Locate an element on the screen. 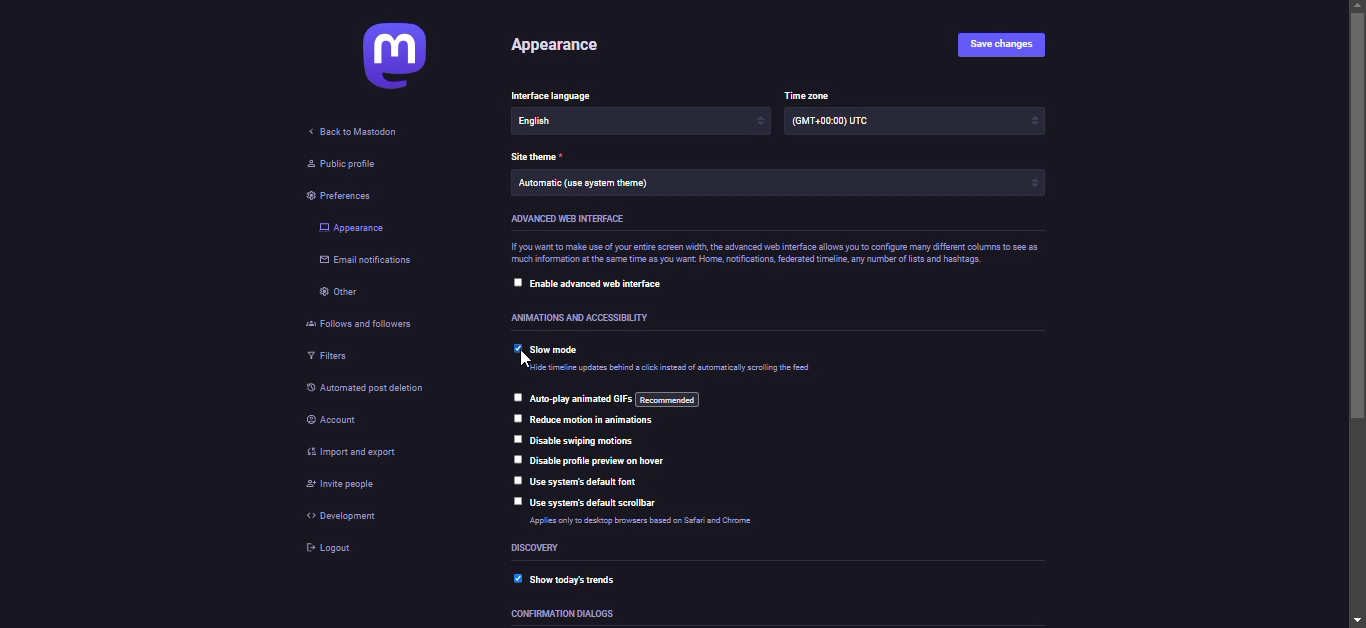  increase/decrease arrows is located at coordinates (760, 121).